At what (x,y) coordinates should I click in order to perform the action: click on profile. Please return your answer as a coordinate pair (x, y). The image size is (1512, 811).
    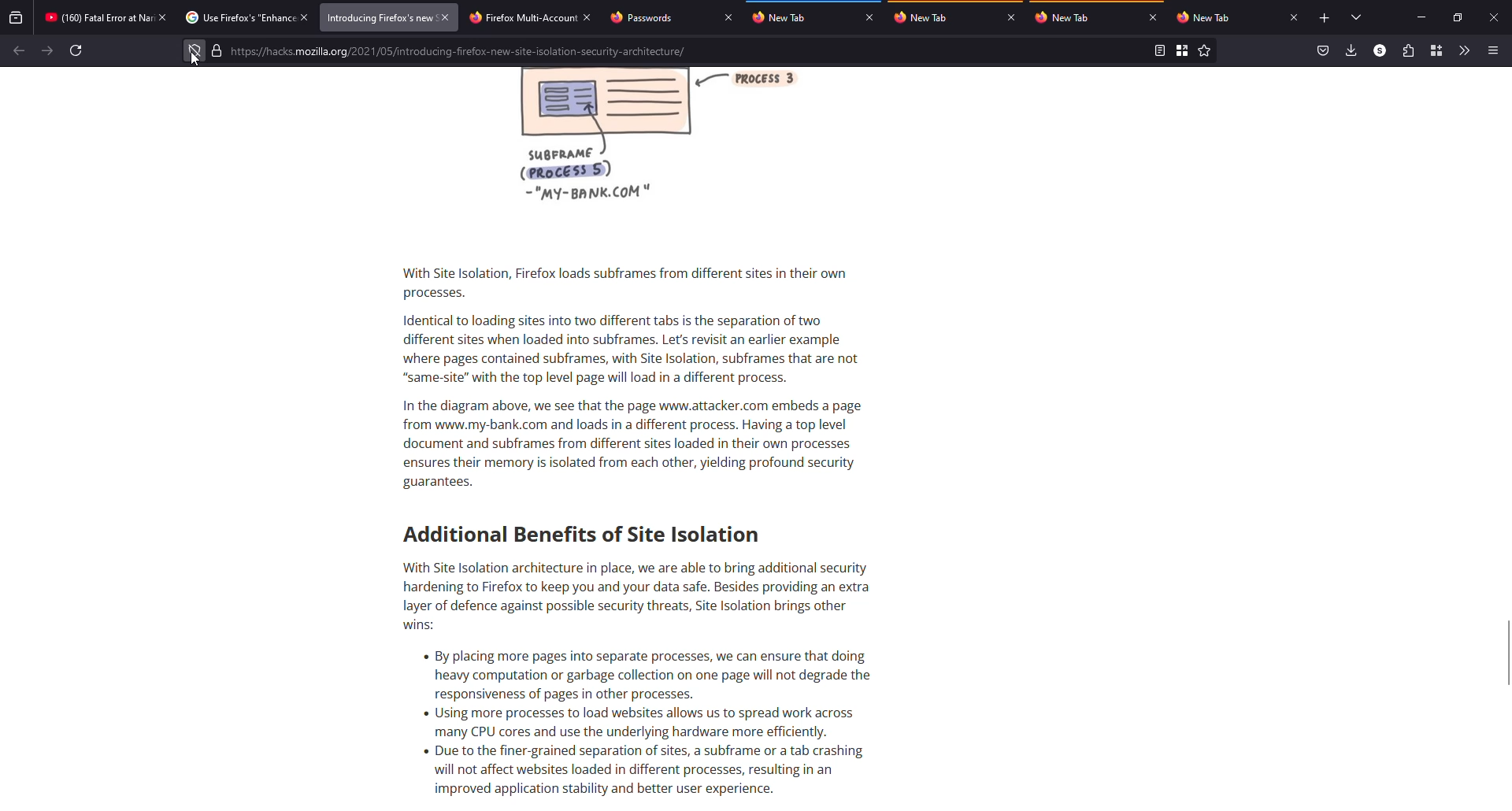
    Looking at the image, I should click on (1379, 50).